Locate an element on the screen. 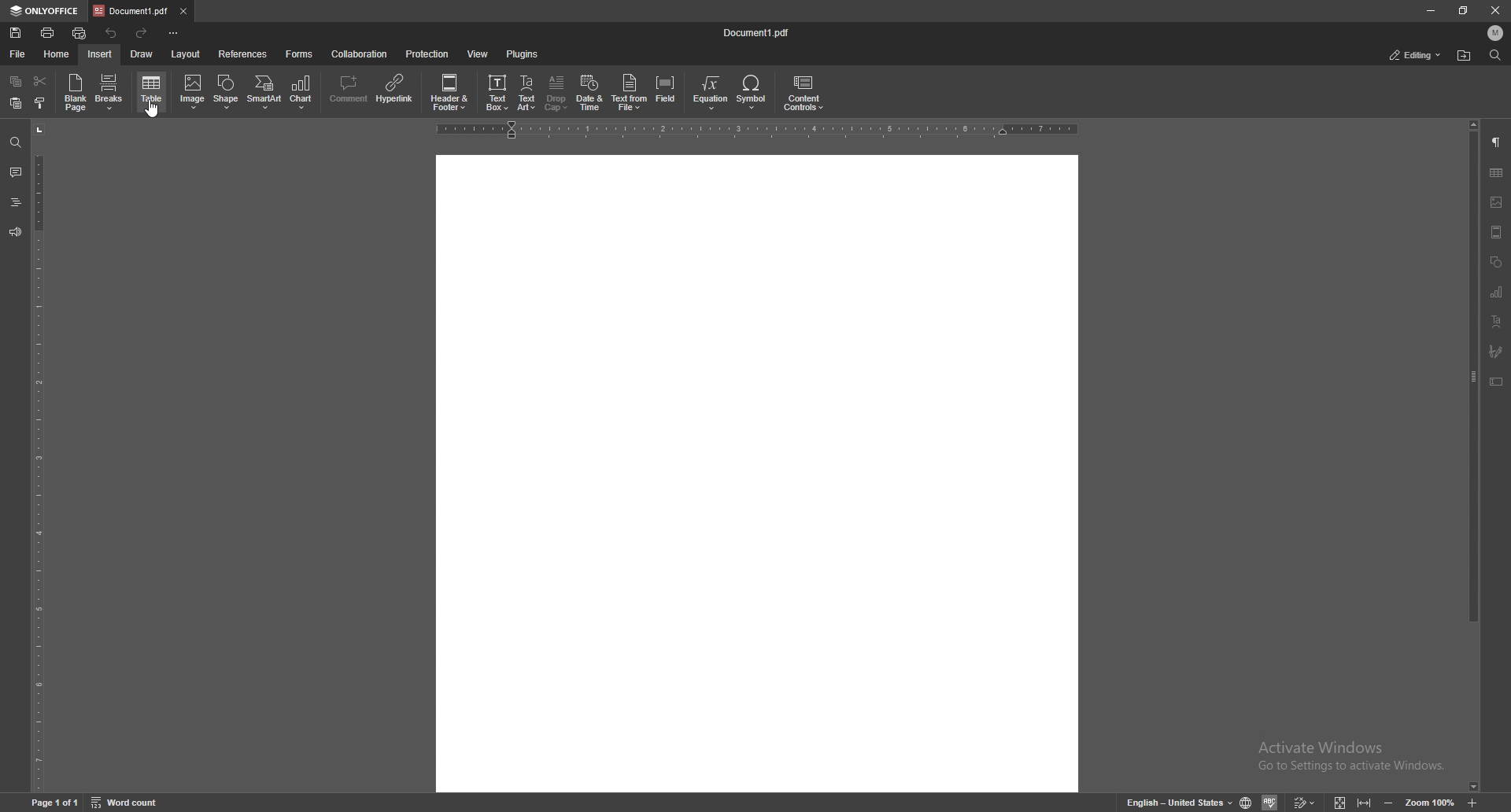  image is located at coordinates (1497, 201).